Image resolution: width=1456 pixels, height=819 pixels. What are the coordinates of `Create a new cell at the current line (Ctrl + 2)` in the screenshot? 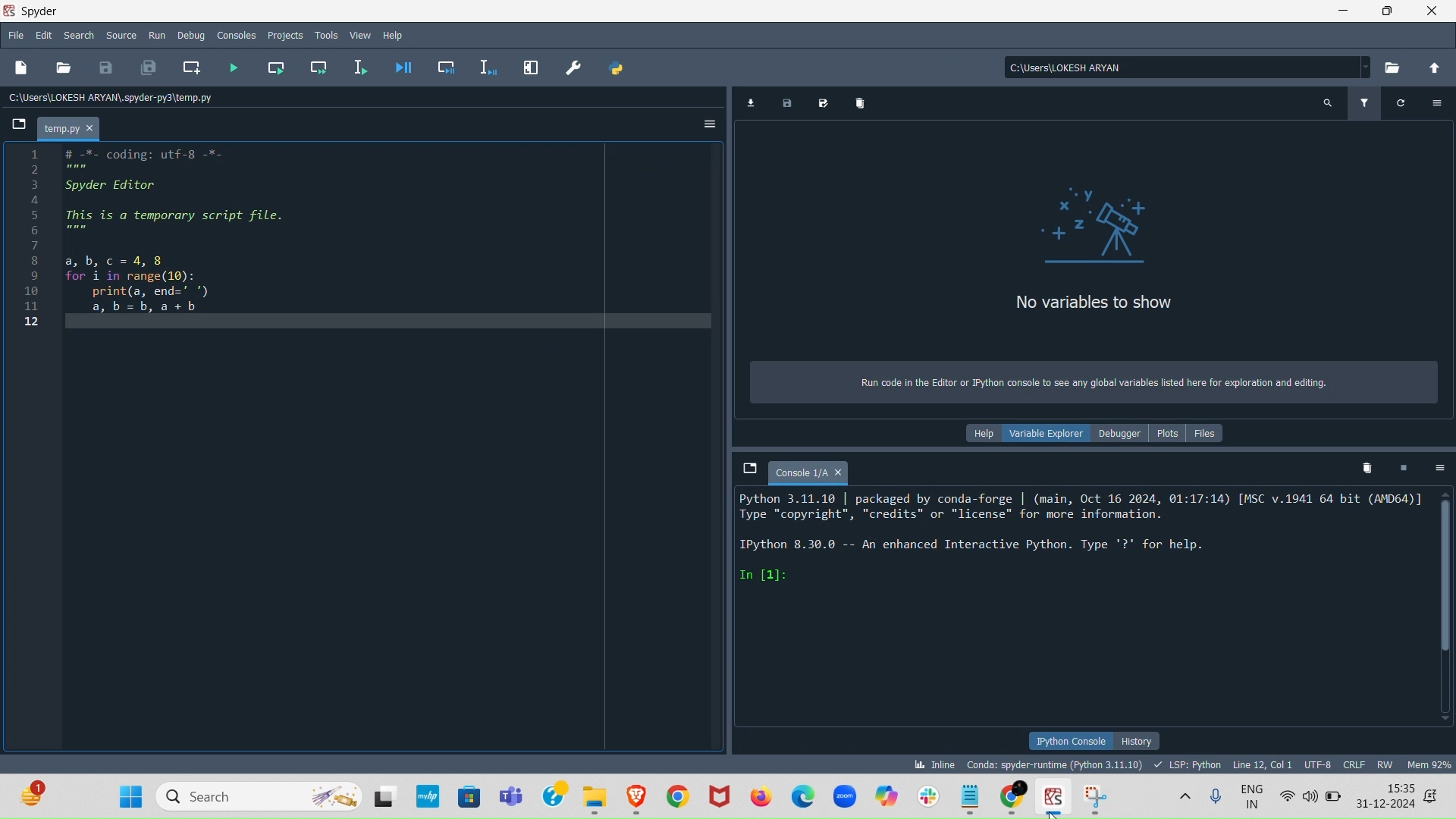 It's located at (192, 66).